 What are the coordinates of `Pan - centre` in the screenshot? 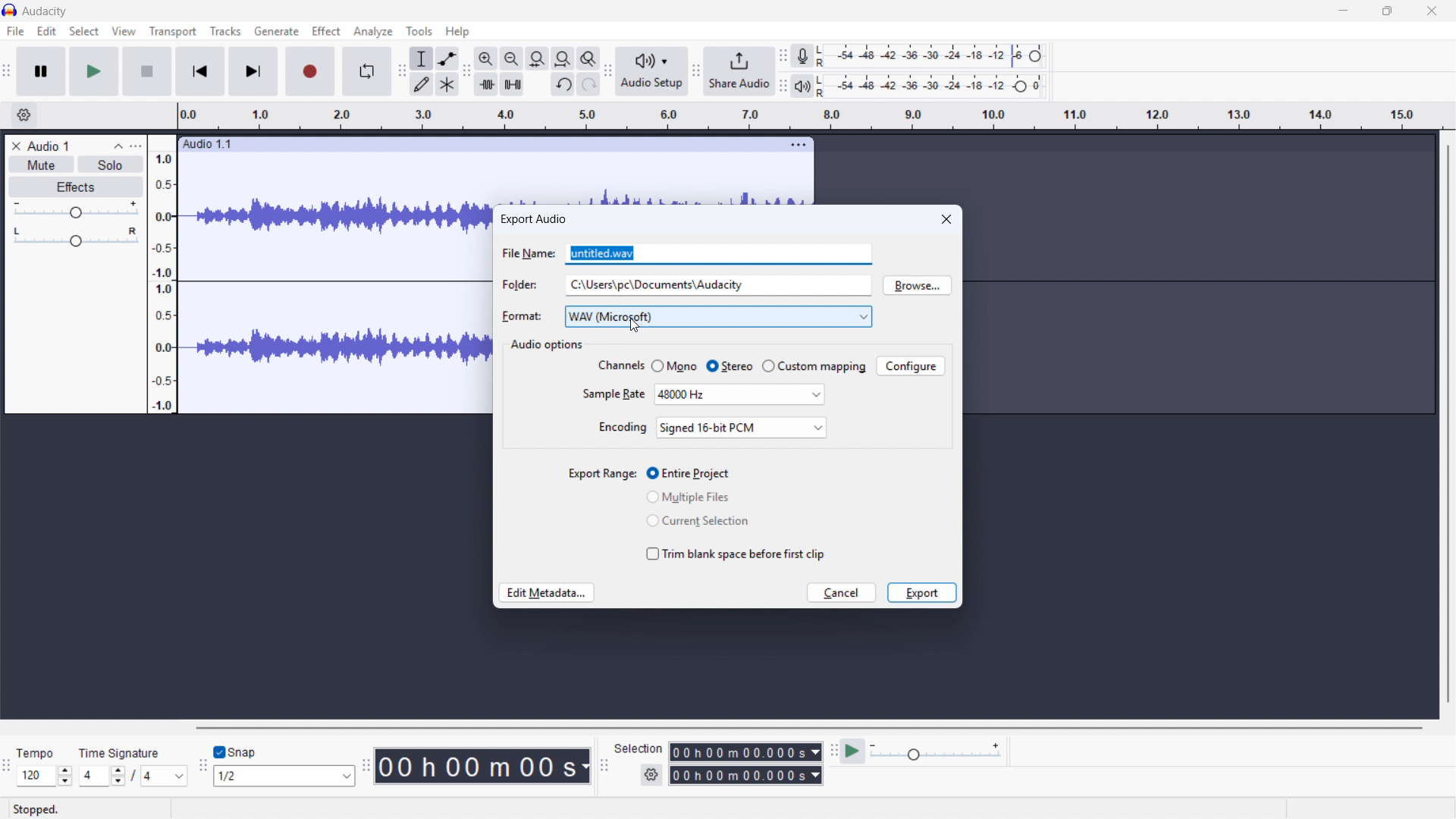 It's located at (76, 238).